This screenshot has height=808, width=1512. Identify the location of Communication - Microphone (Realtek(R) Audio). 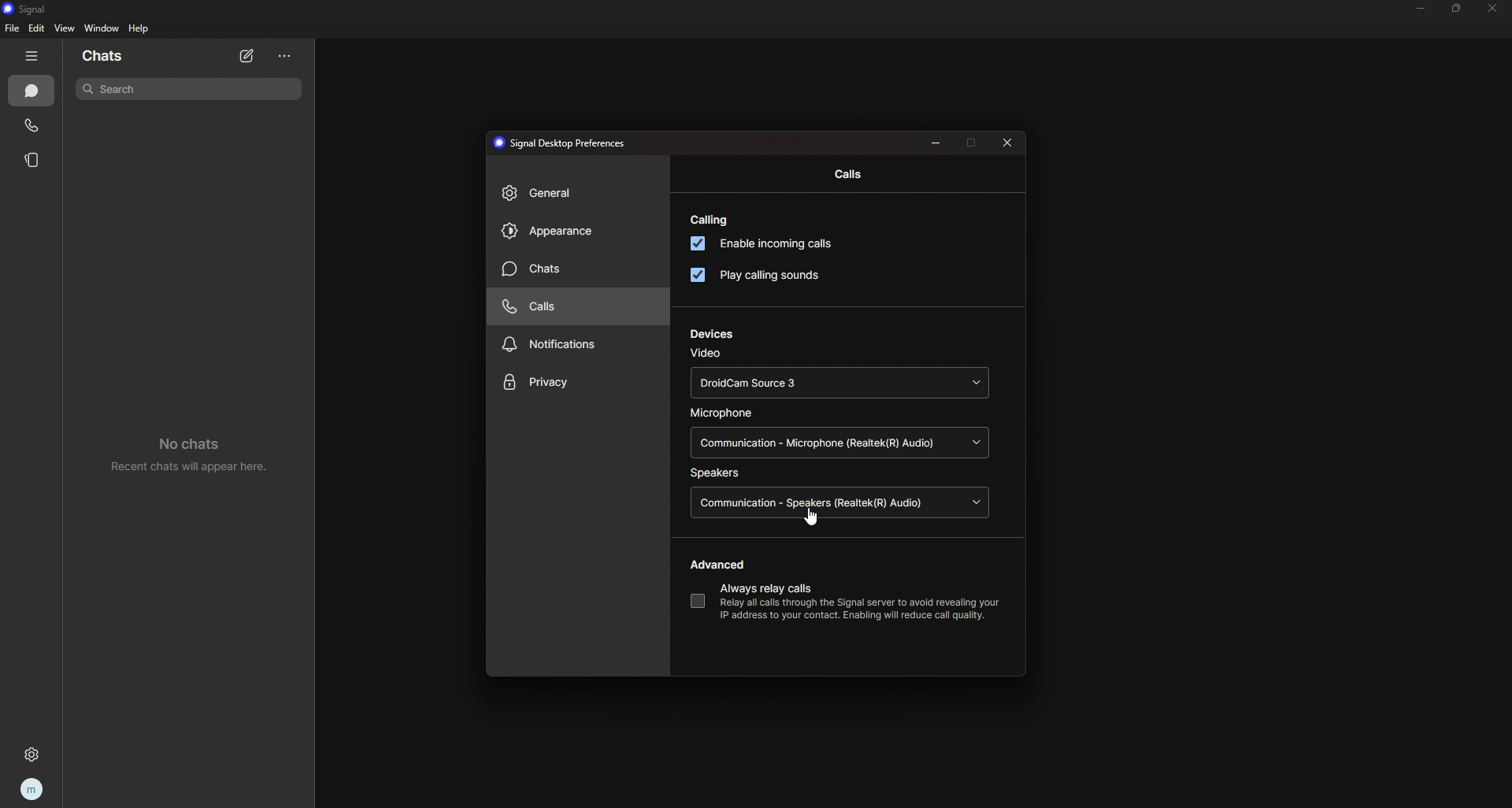
(837, 442).